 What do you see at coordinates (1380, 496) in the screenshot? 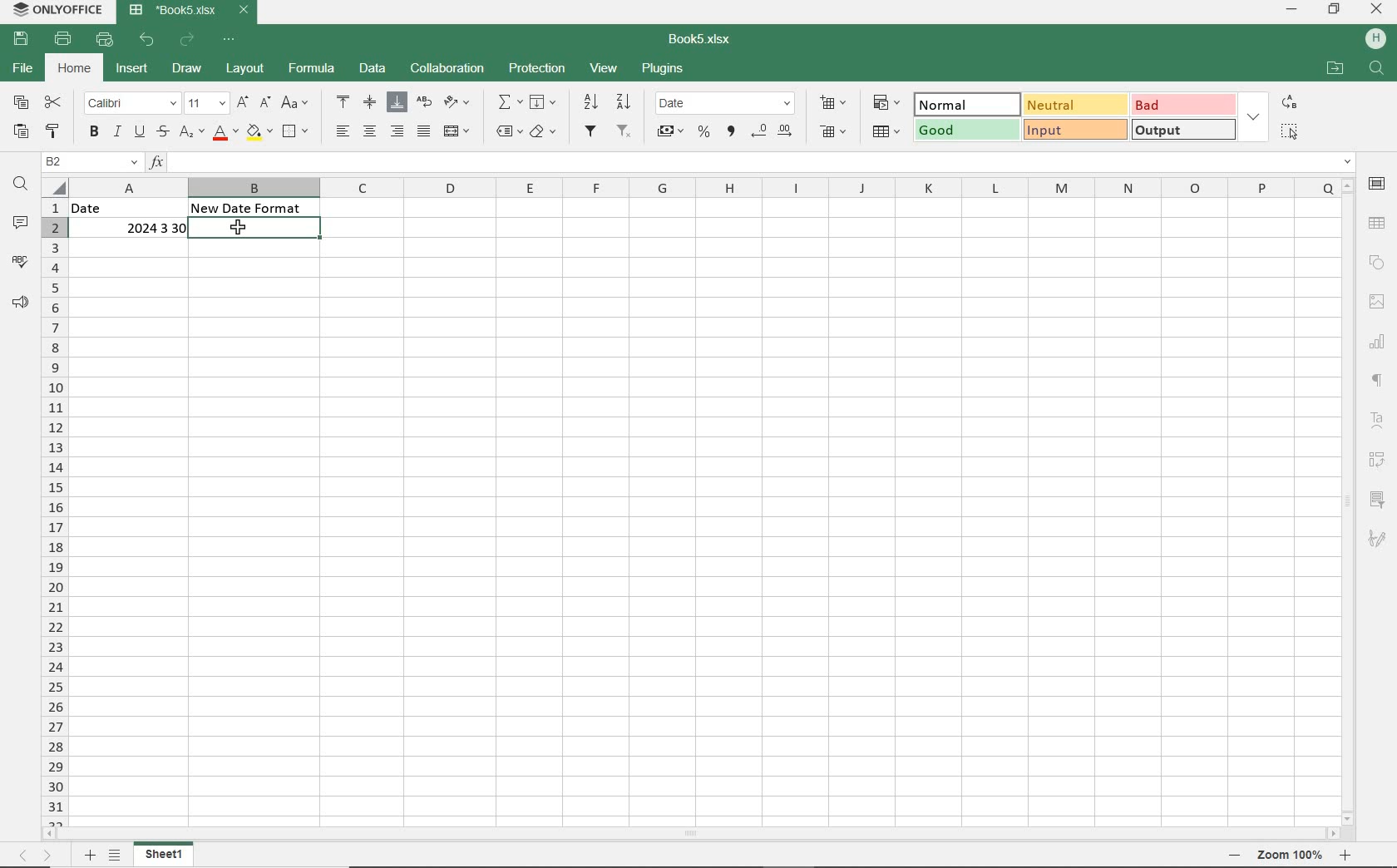
I see `SLICER` at bounding box center [1380, 496].